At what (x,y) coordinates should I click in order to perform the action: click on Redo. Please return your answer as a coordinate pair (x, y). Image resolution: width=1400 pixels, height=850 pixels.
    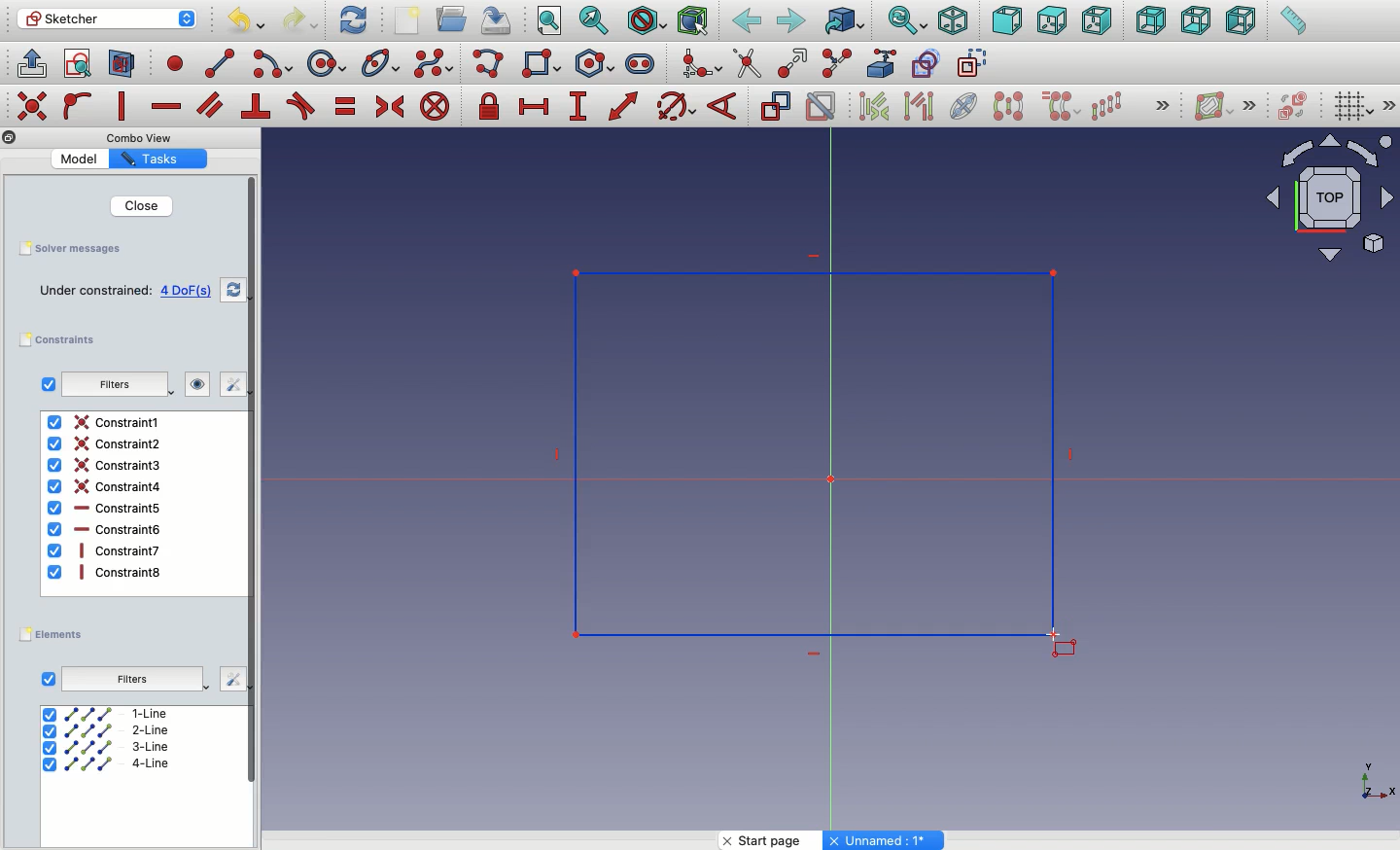
    Looking at the image, I should click on (303, 20).